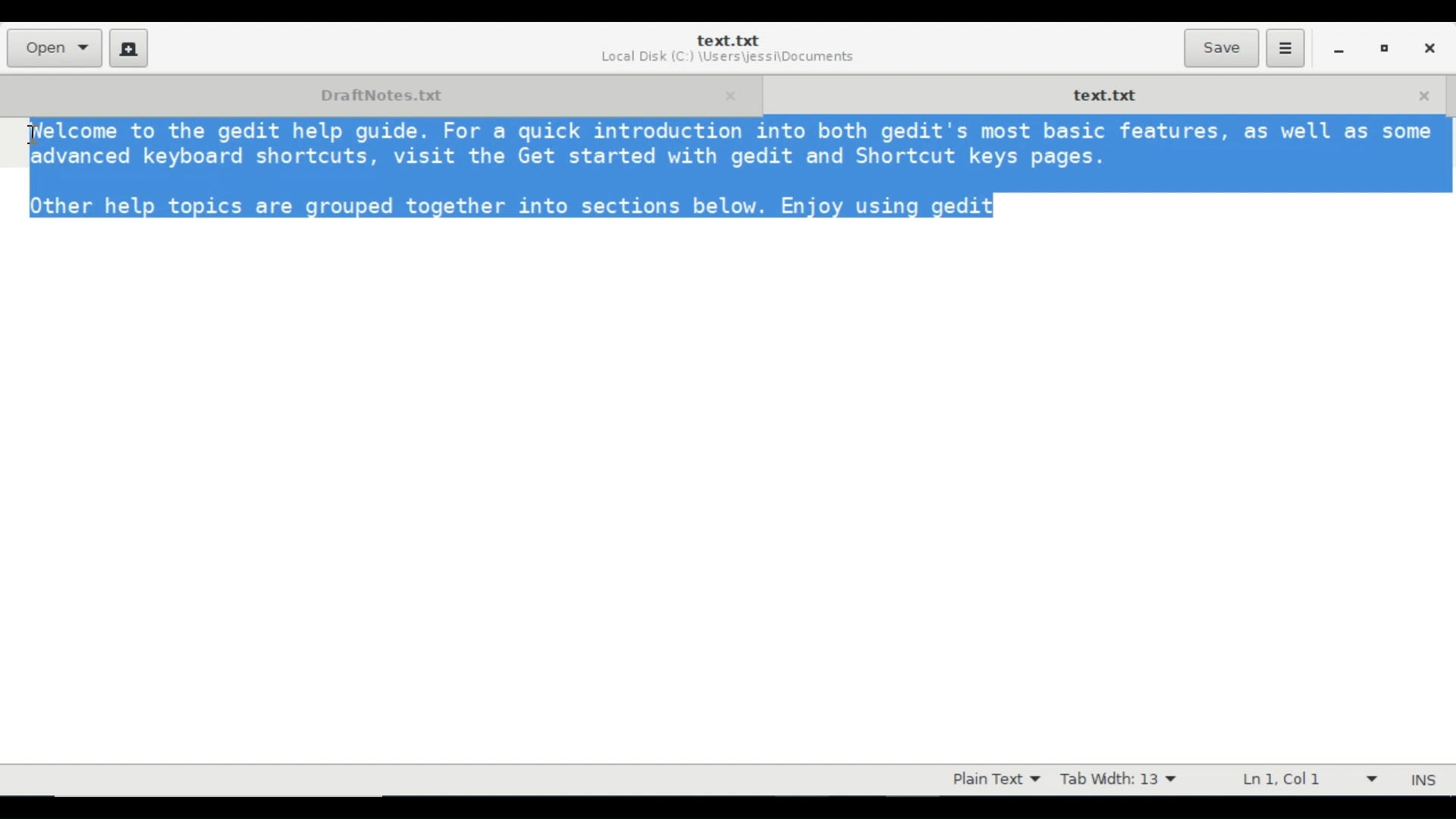 Image resolution: width=1456 pixels, height=819 pixels. Describe the element at coordinates (1428, 46) in the screenshot. I see `Close` at that location.